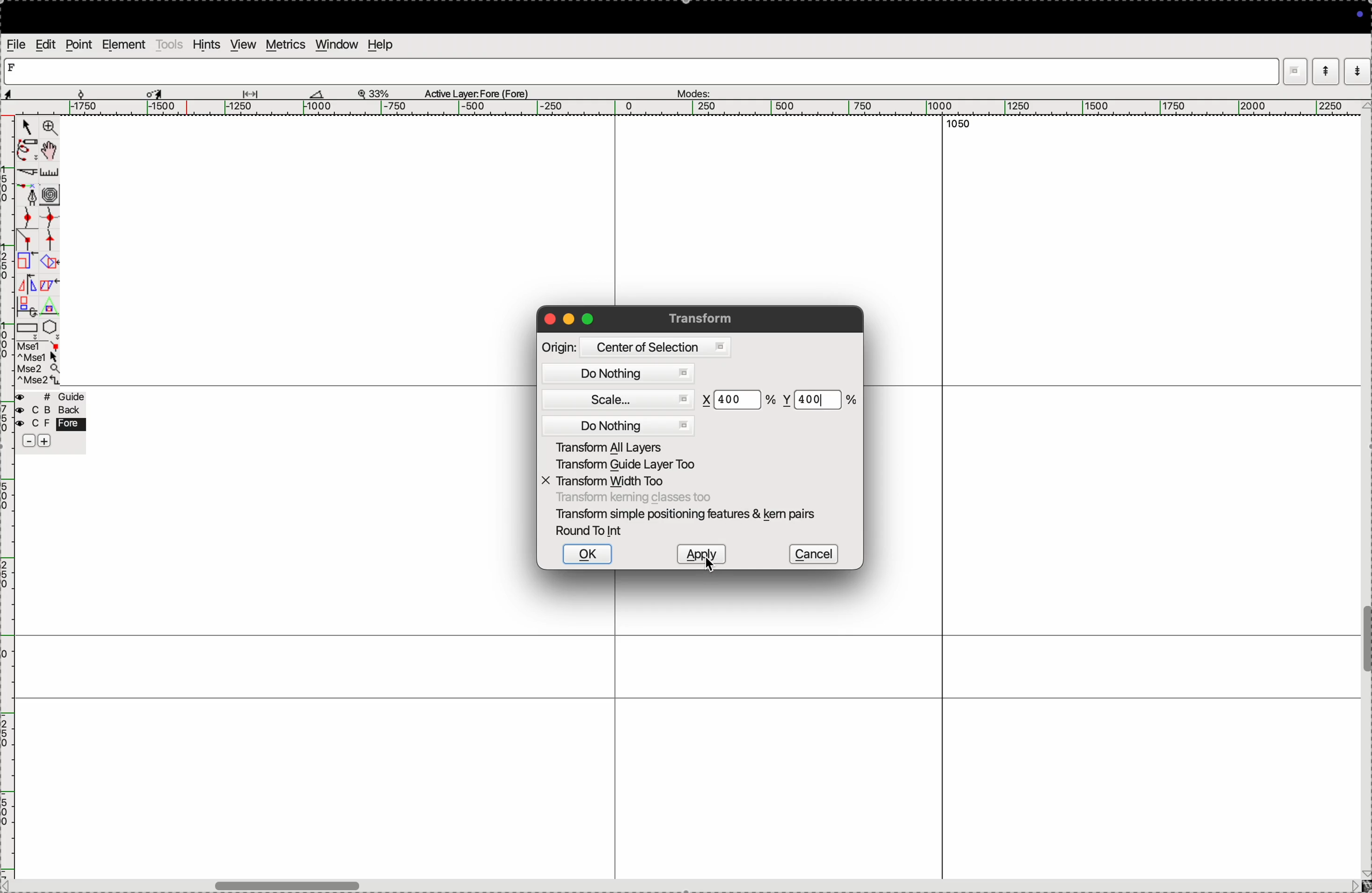 The height and width of the screenshot is (893, 1372). I want to click on apply, so click(700, 554).